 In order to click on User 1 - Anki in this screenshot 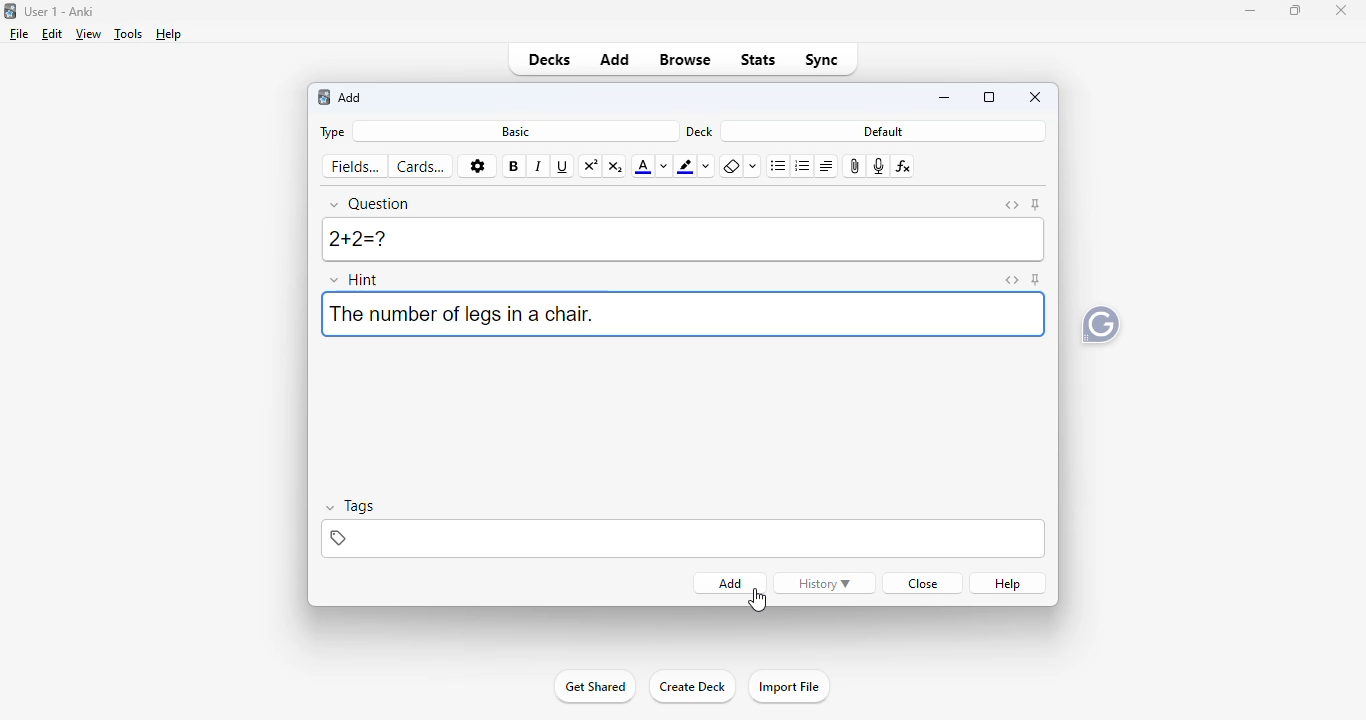, I will do `click(61, 11)`.